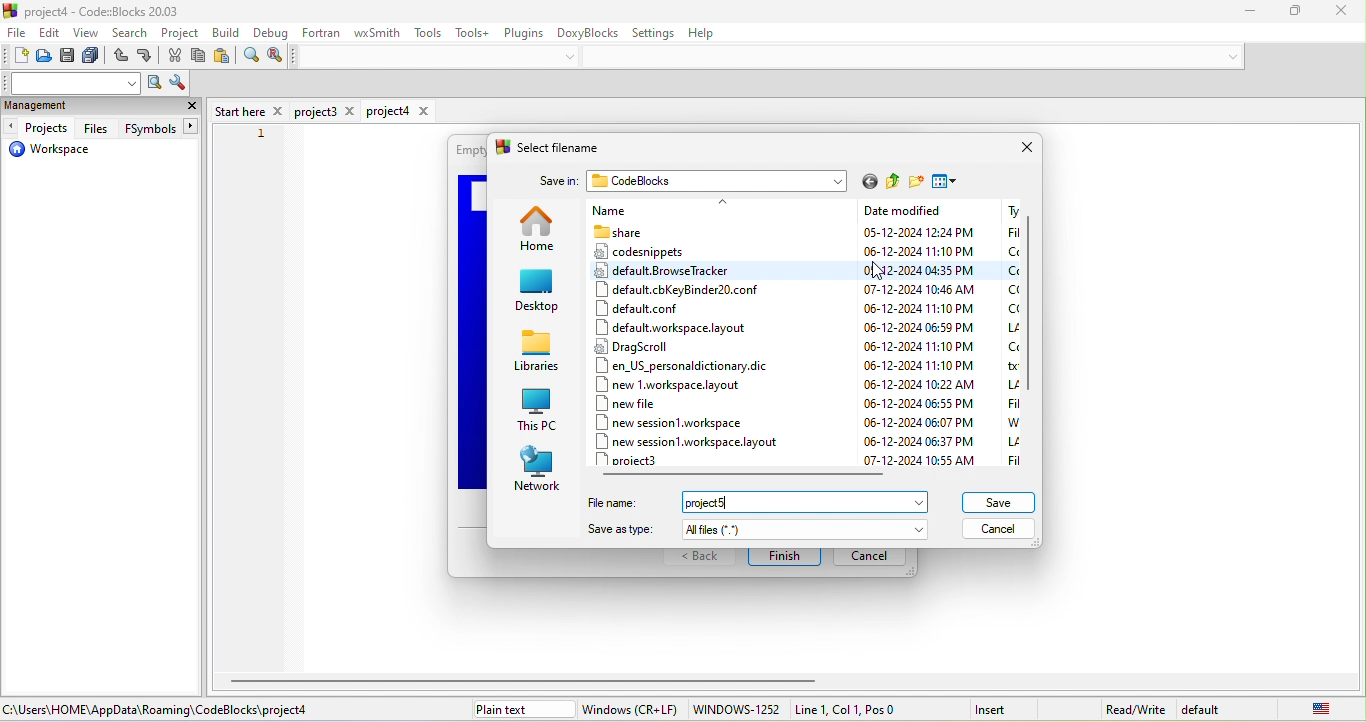  I want to click on new1 workspace layout, so click(693, 385).